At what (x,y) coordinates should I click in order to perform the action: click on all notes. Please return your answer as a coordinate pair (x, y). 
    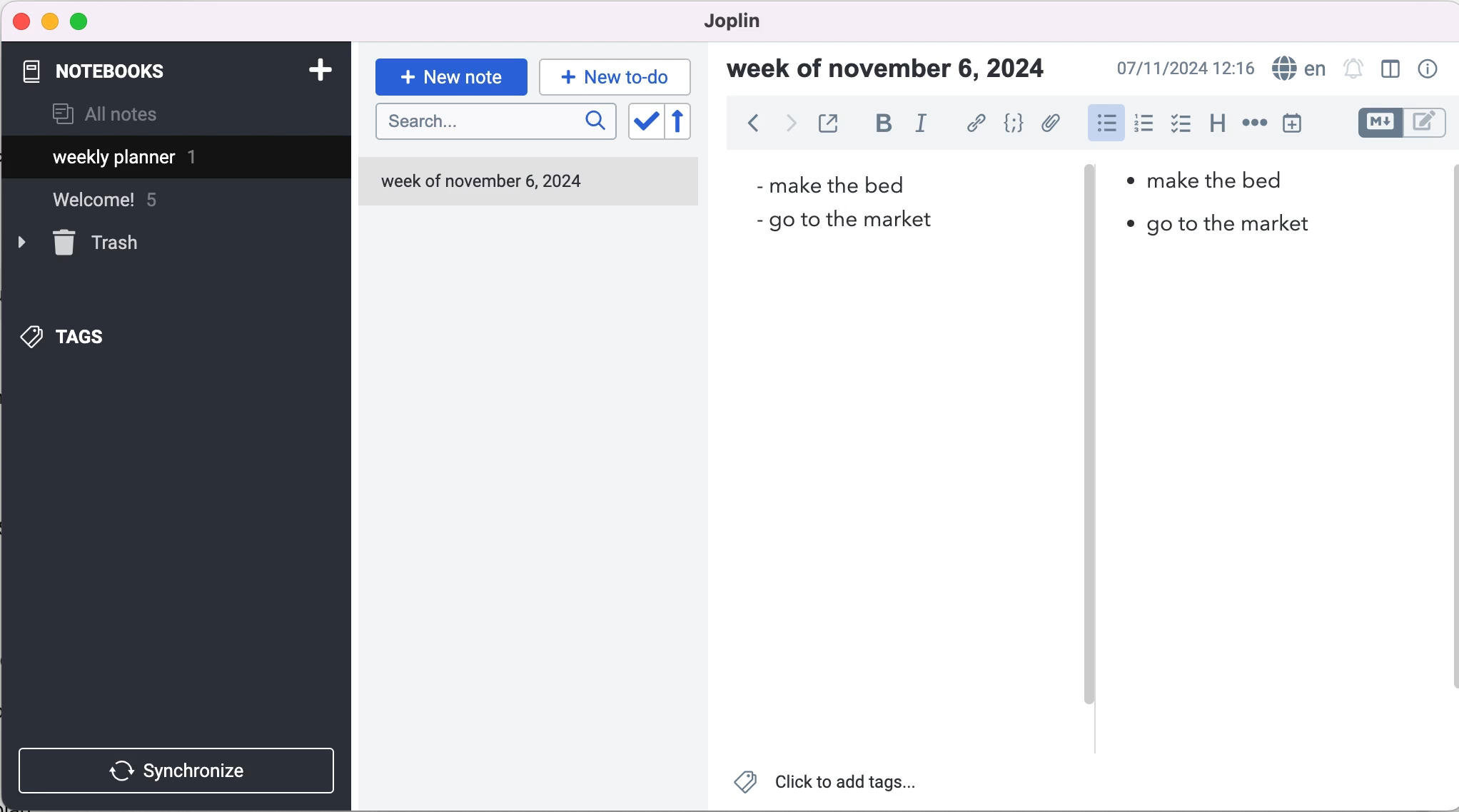
    Looking at the image, I should click on (105, 116).